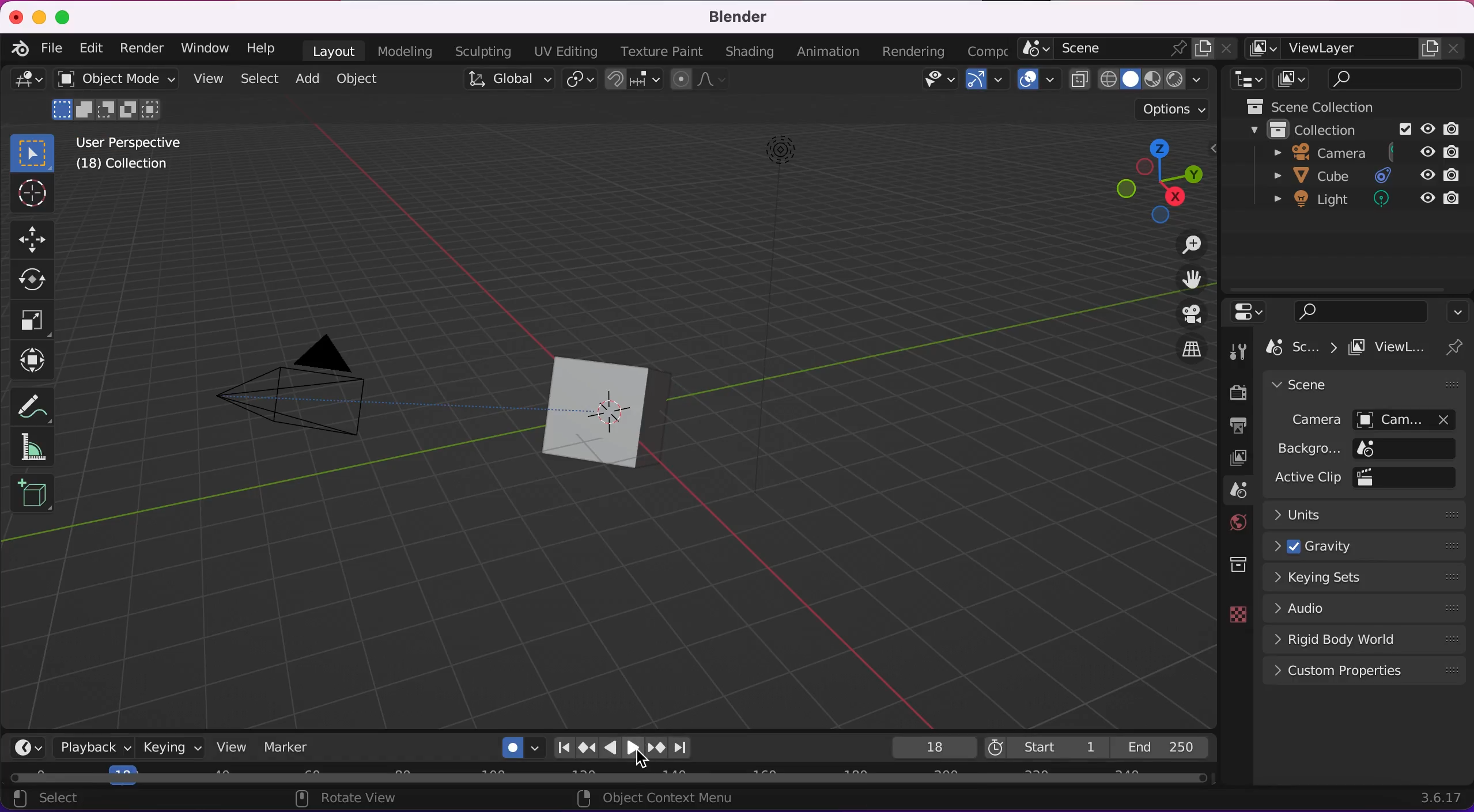  Describe the element at coordinates (1358, 49) in the screenshot. I see `viewlayer` at that location.